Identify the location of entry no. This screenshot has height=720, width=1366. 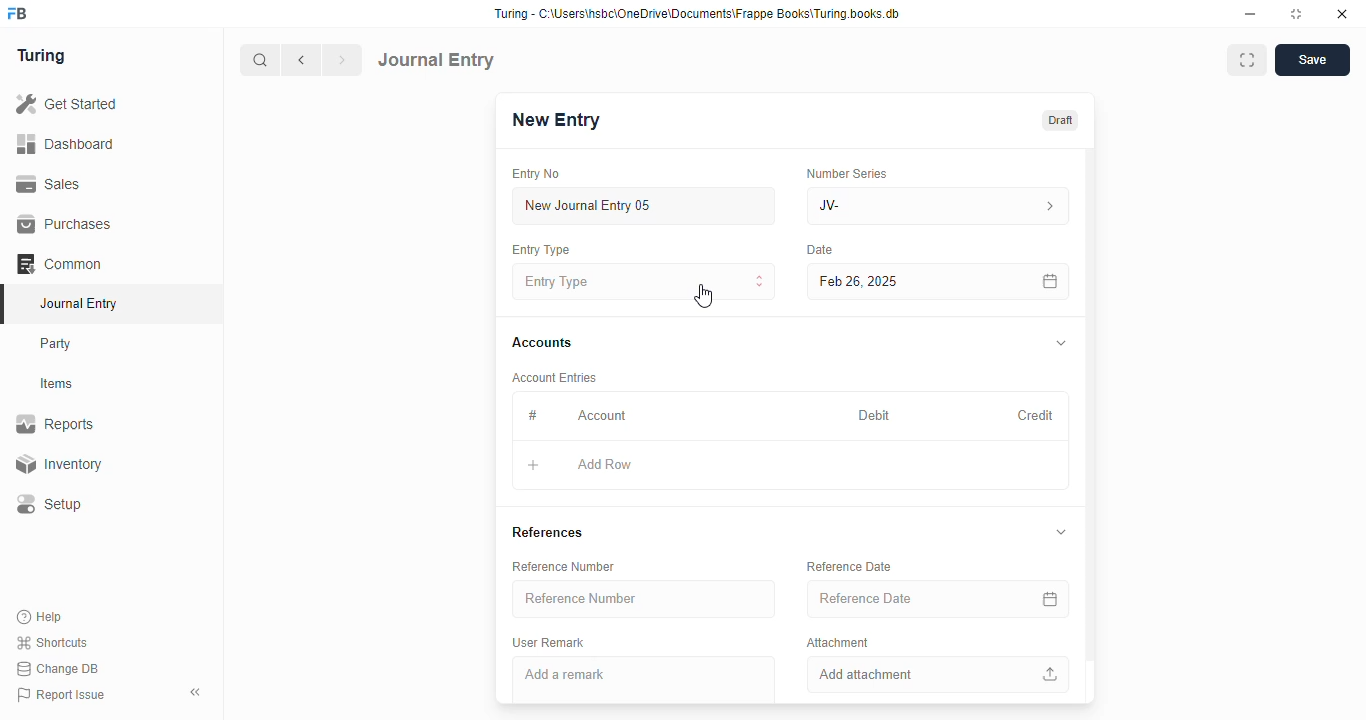
(537, 174).